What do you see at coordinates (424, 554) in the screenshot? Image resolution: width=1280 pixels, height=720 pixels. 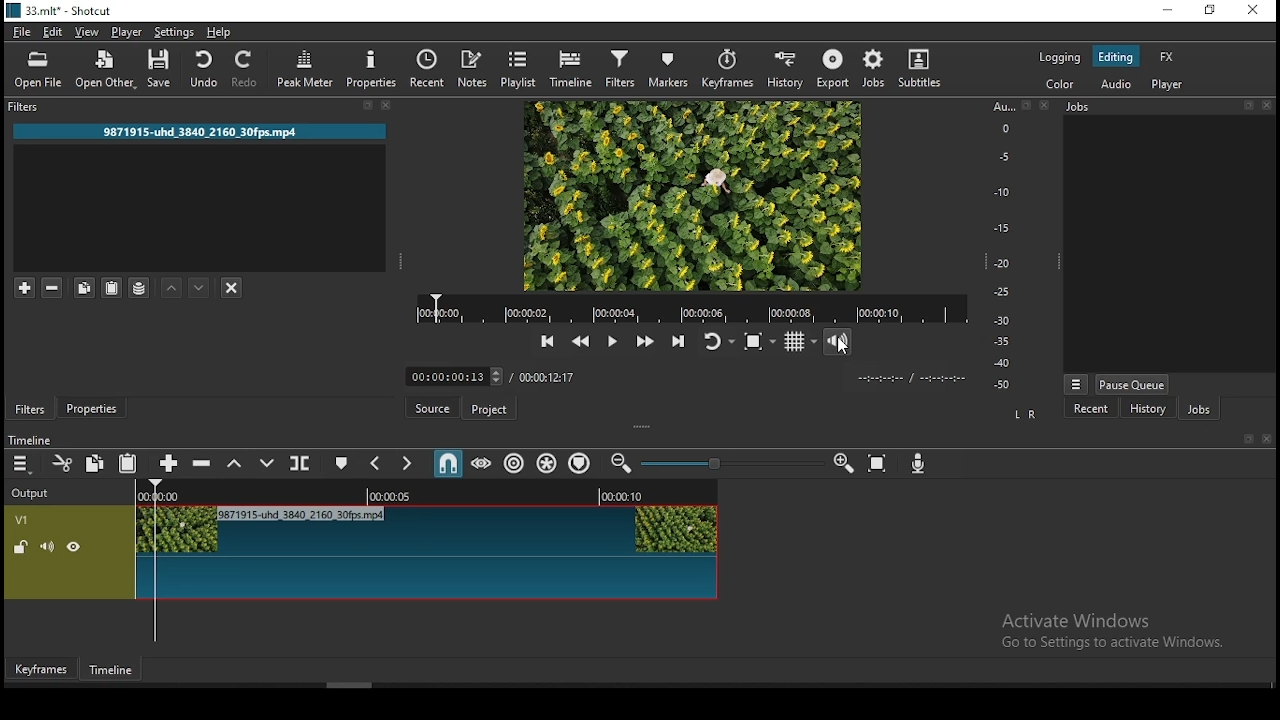 I see `video track` at bounding box center [424, 554].